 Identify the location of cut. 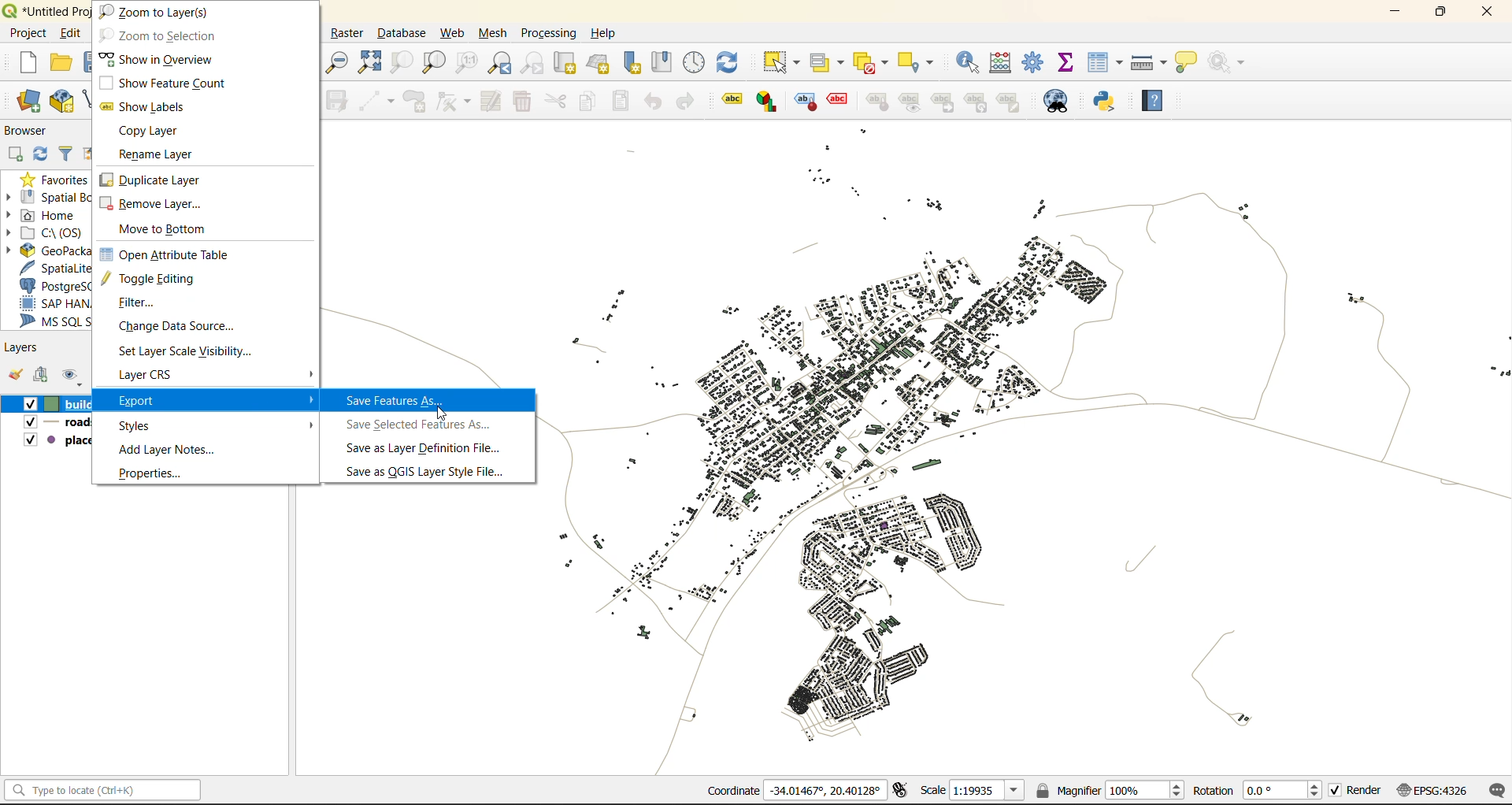
(554, 99).